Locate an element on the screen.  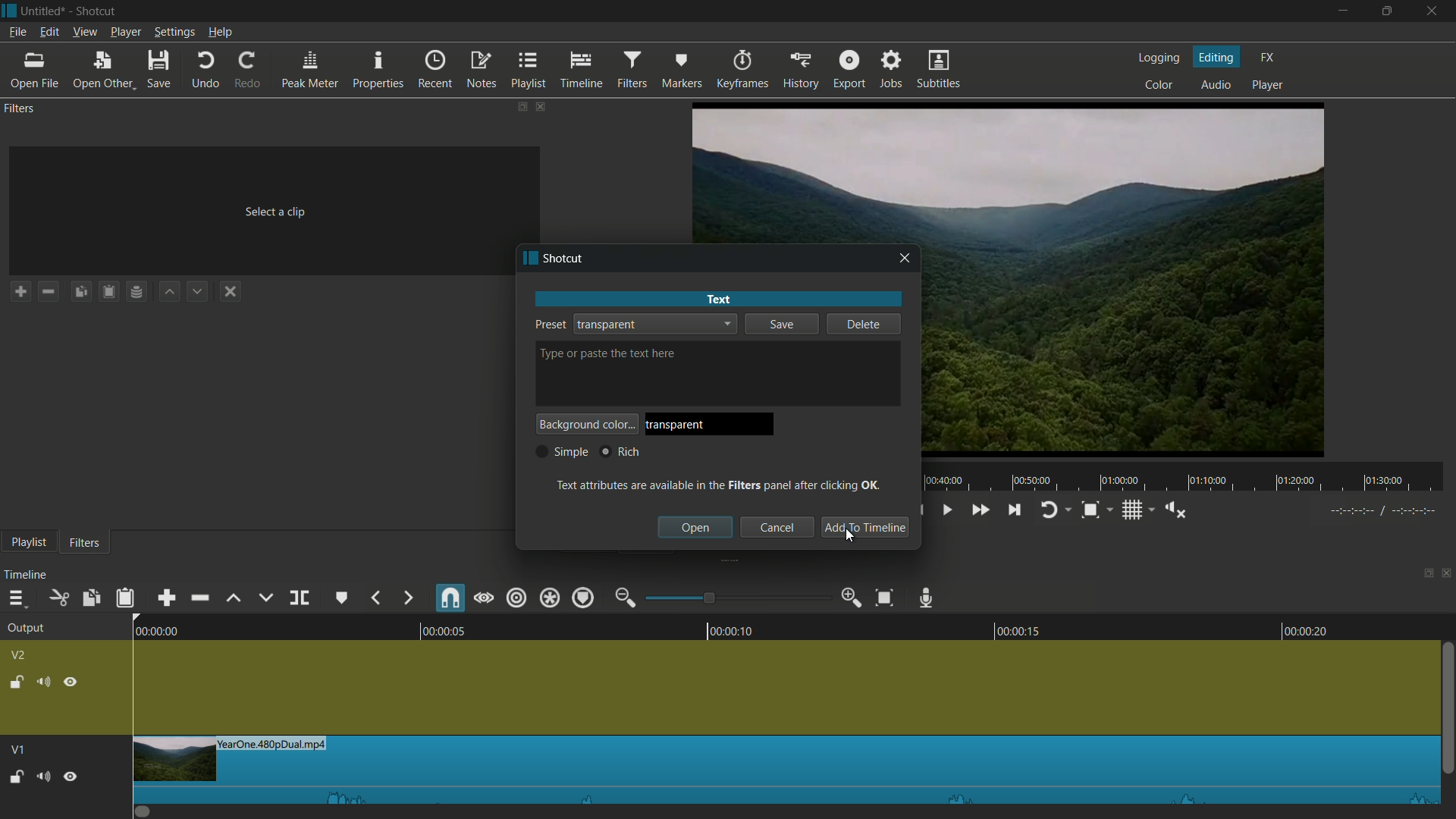
file menu is located at coordinates (17, 33).